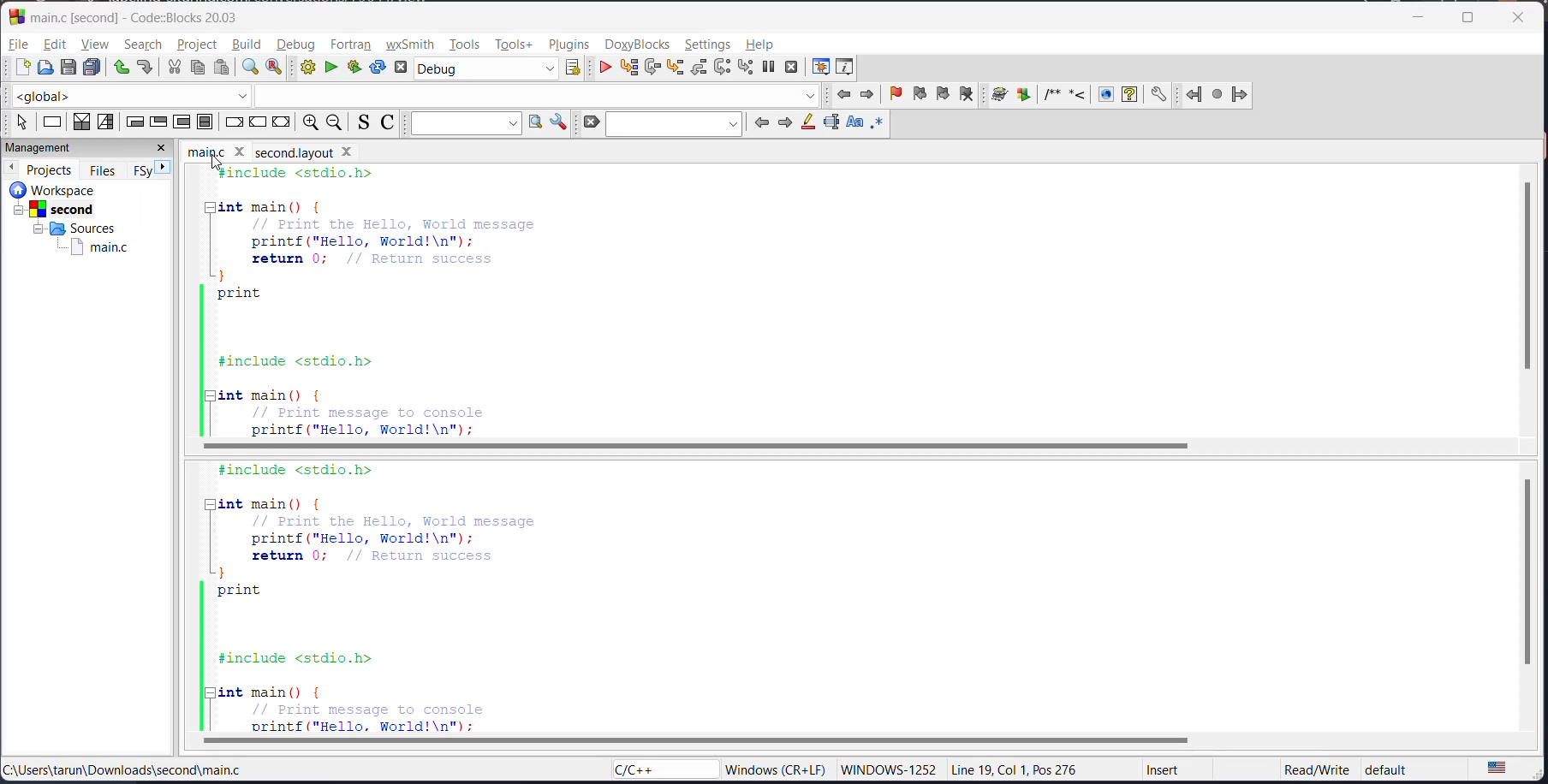 This screenshot has height=784, width=1548. What do you see at coordinates (56, 45) in the screenshot?
I see `edit` at bounding box center [56, 45].